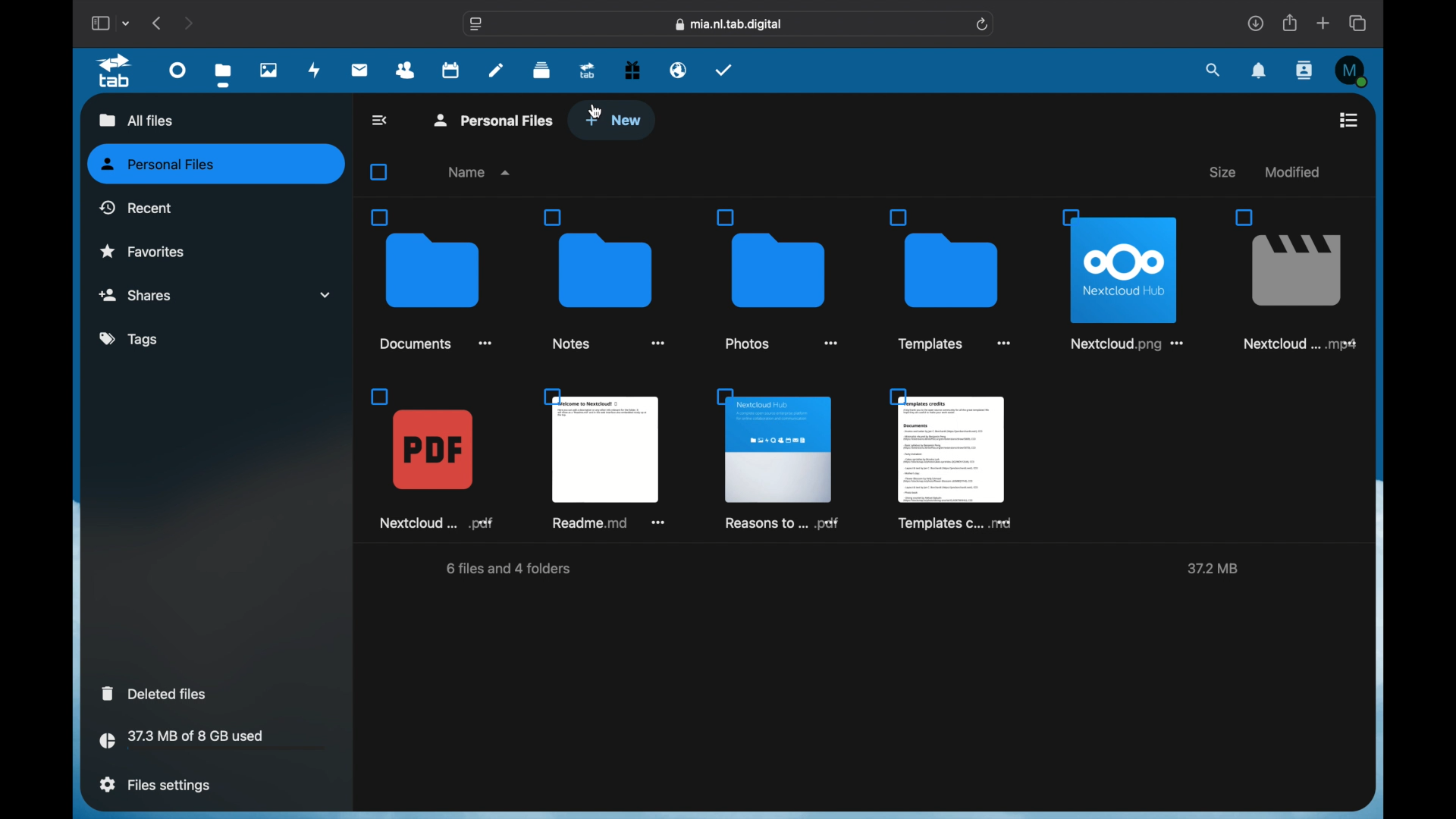  Describe the element at coordinates (156, 693) in the screenshot. I see `deleted` at that location.